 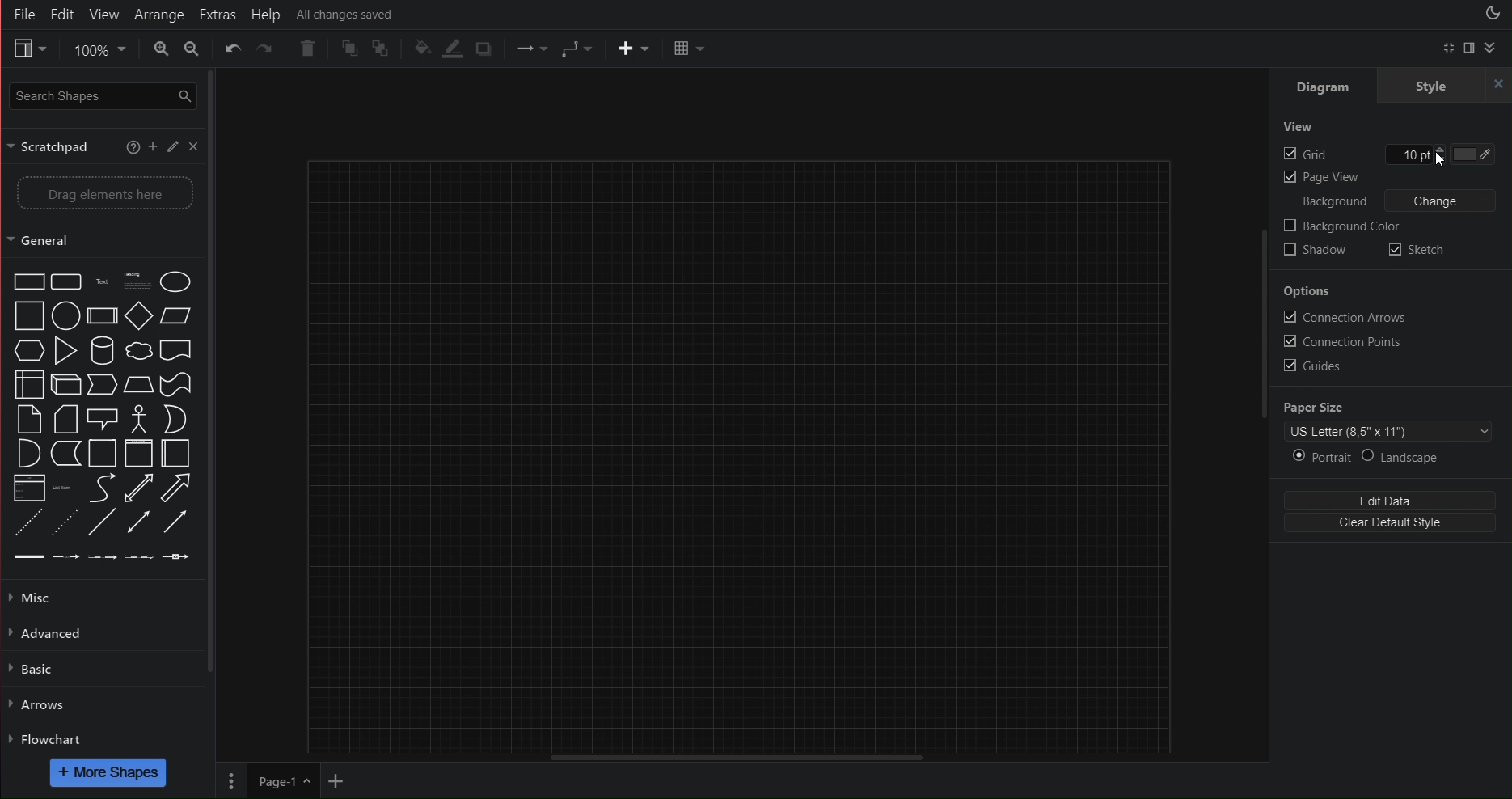 What do you see at coordinates (268, 53) in the screenshot?
I see `Redo` at bounding box center [268, 53].